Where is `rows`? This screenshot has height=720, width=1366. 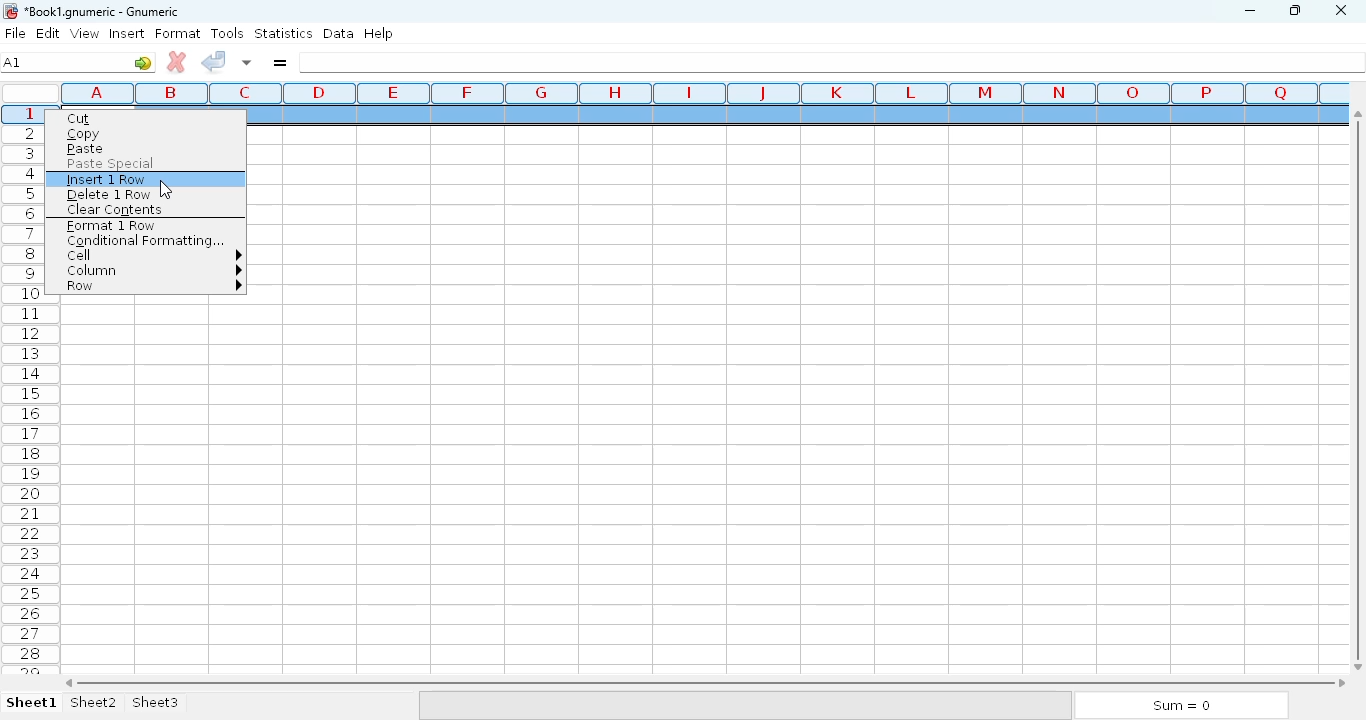 rows is located at coordinates (31, 388).